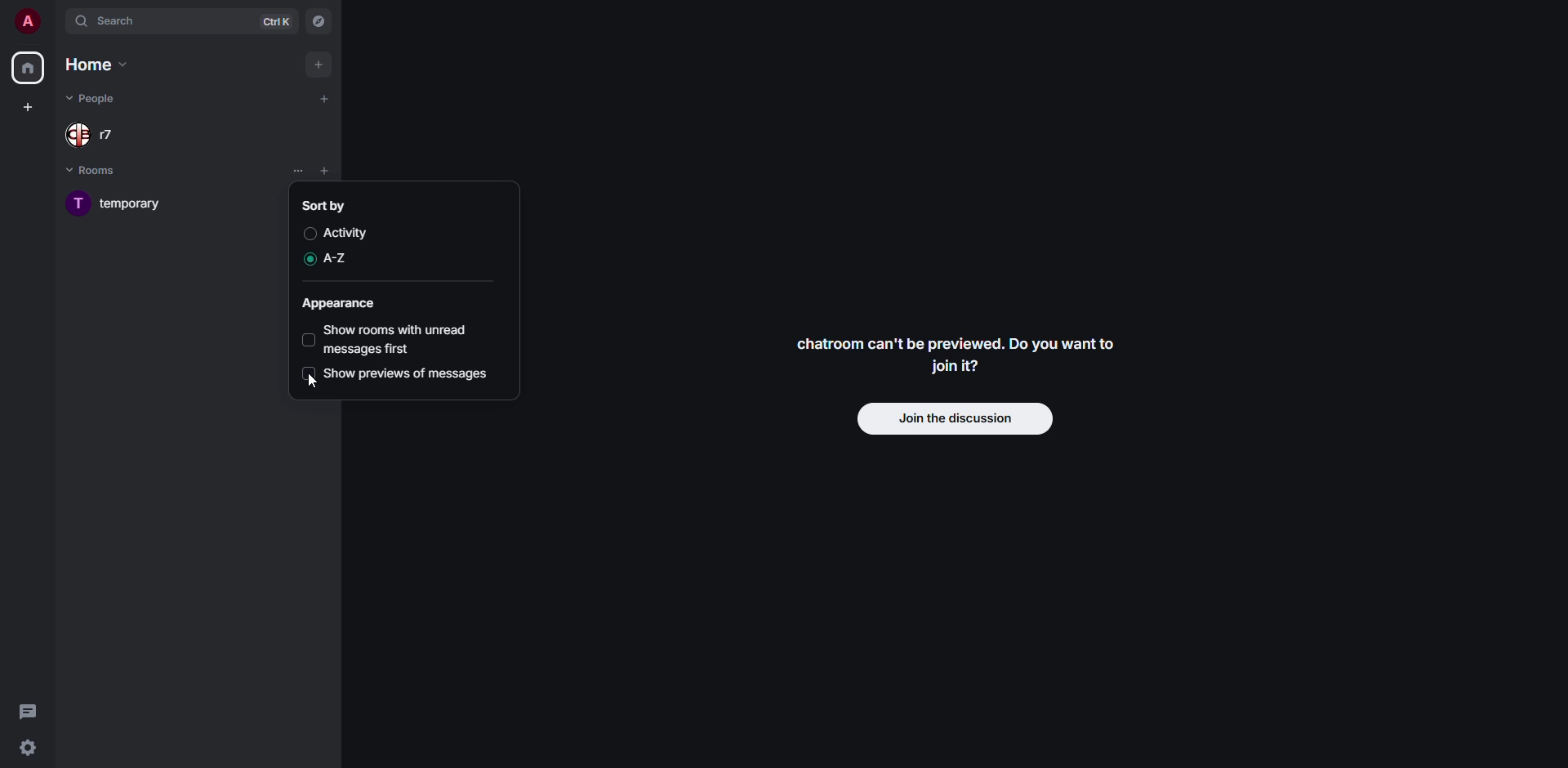 This screenshot has height=768, width=1568. What do you see at coordinates (309, 373) in the screenshot?
I see `disabled` at bounding box center [309, 373].